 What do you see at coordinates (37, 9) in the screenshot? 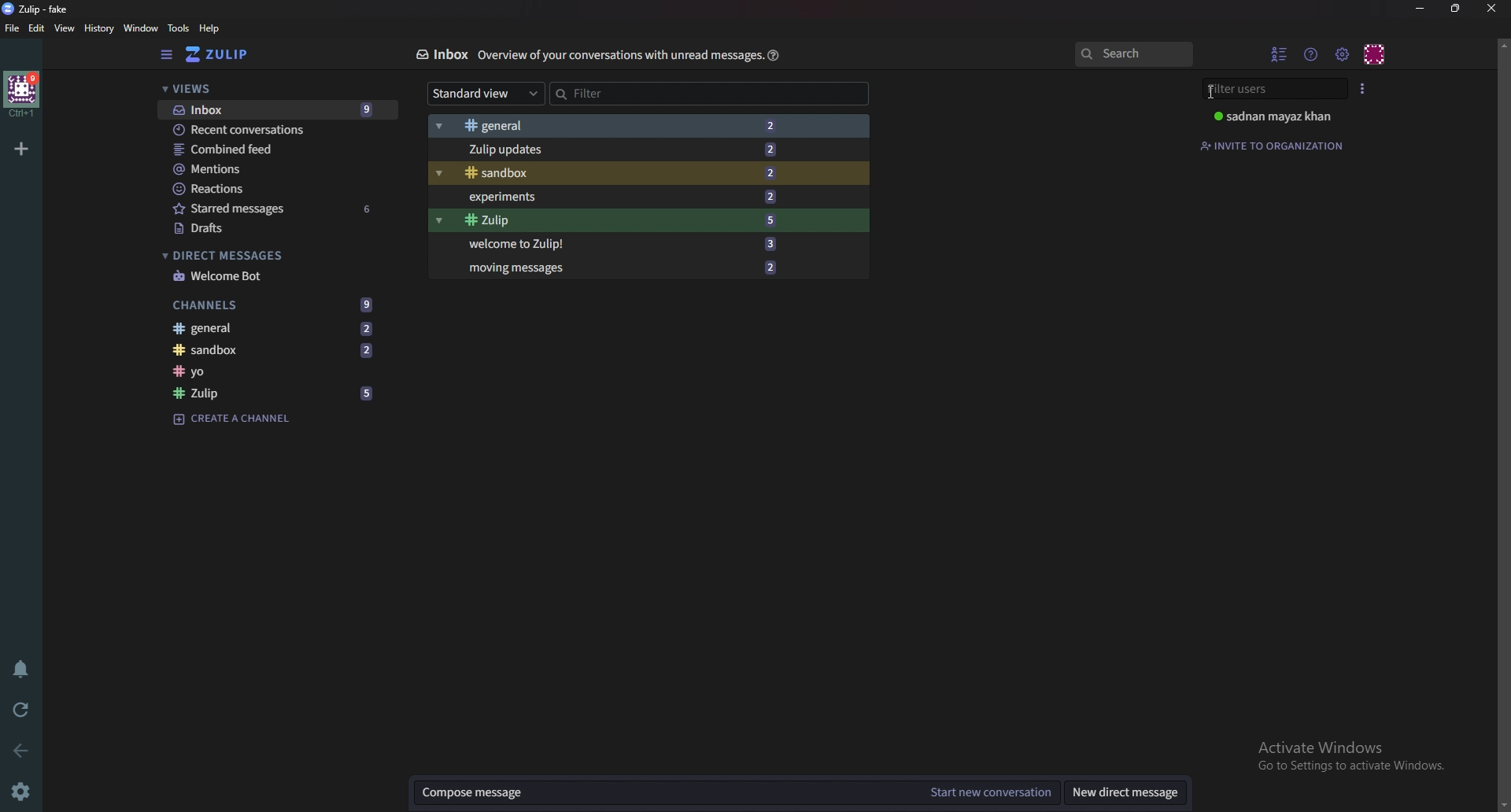
I see `zulip` at bounding box center [37, 9].